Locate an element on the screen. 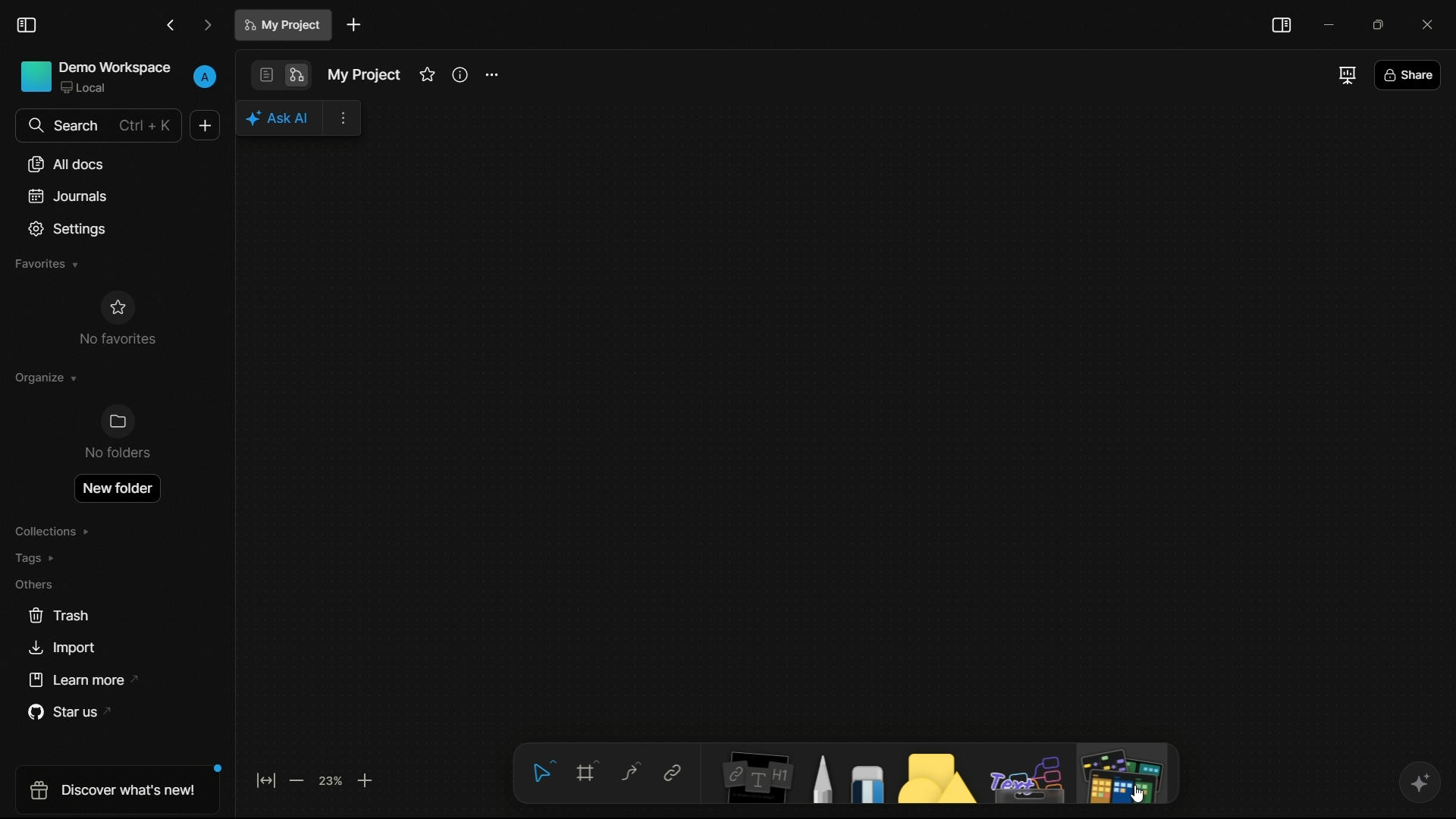  no favorites is located at coordinates (116, 318).